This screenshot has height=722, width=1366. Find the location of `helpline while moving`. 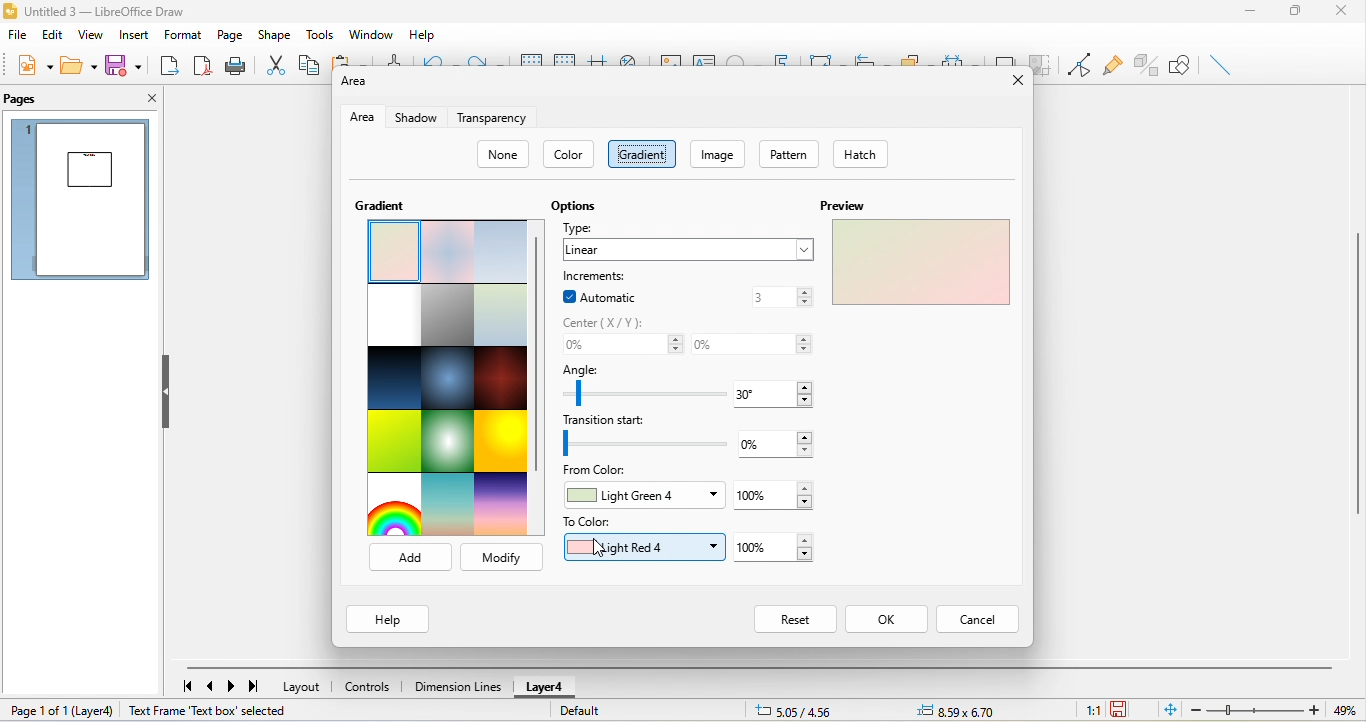

helpline while moving is located at coordinates (599, 57).